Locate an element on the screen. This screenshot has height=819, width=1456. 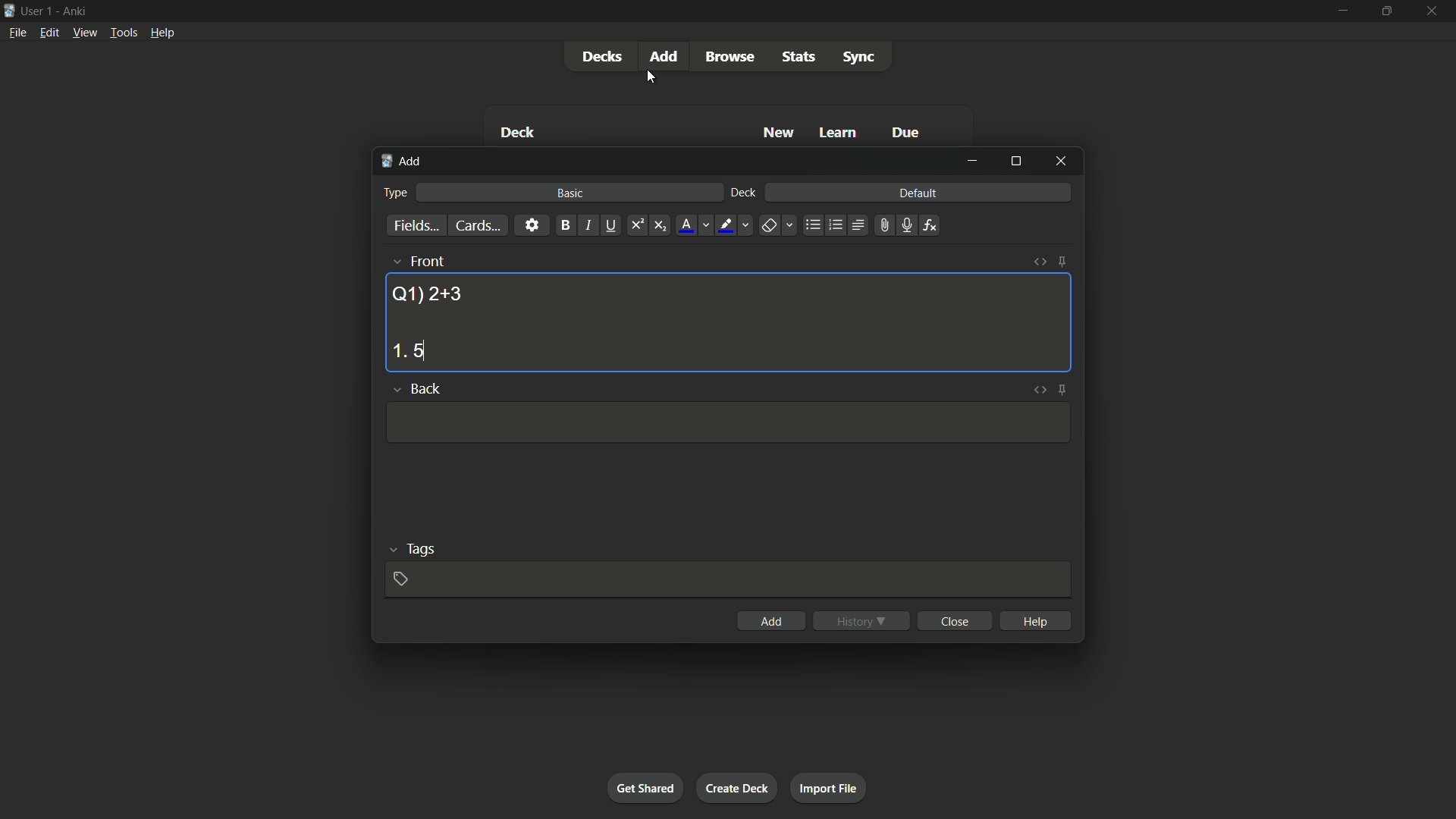
minimize is located at coordinates (1341, 10).